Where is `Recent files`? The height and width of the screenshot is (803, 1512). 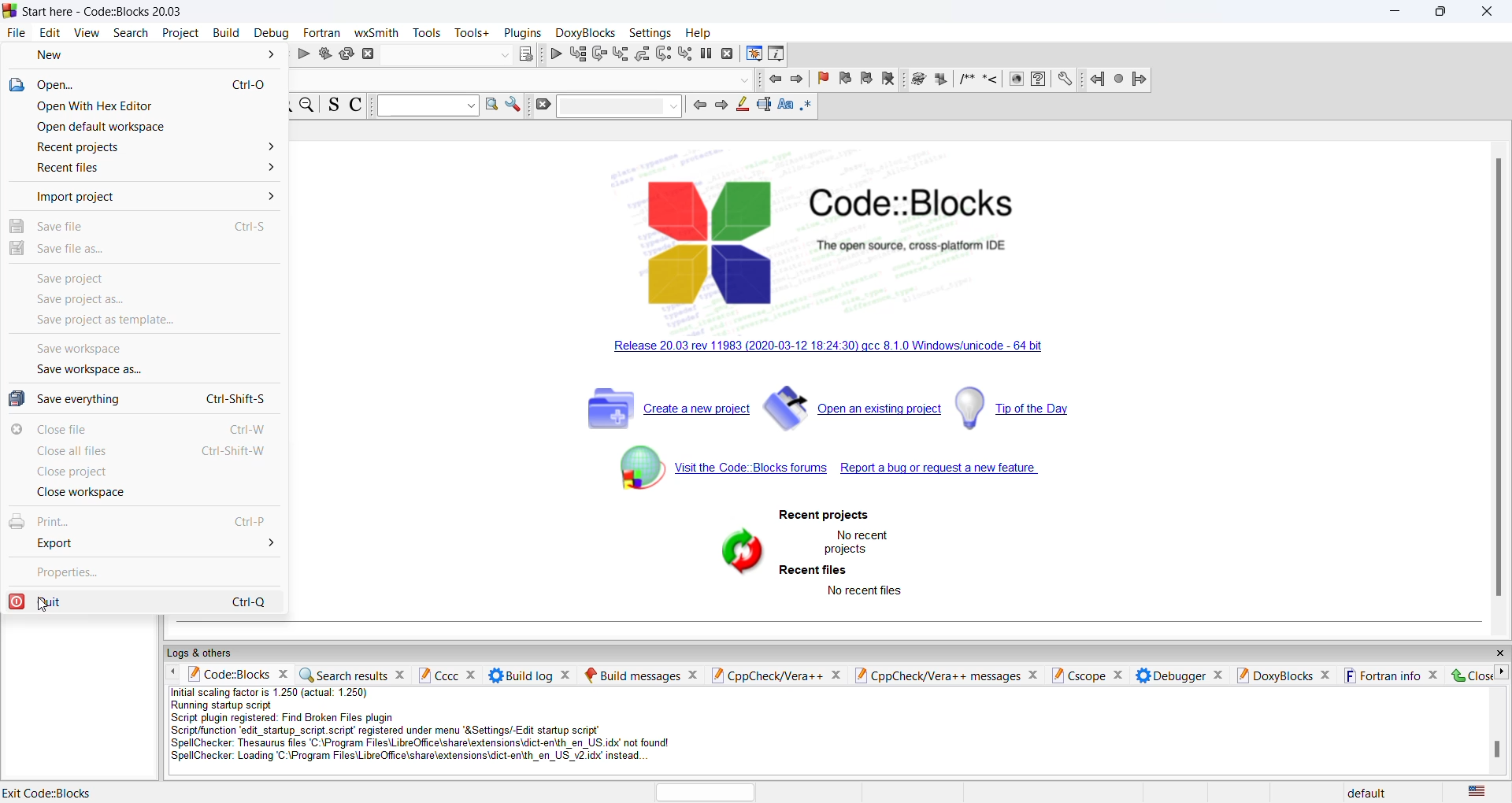 Recent files is located at coordinates (154, 170).